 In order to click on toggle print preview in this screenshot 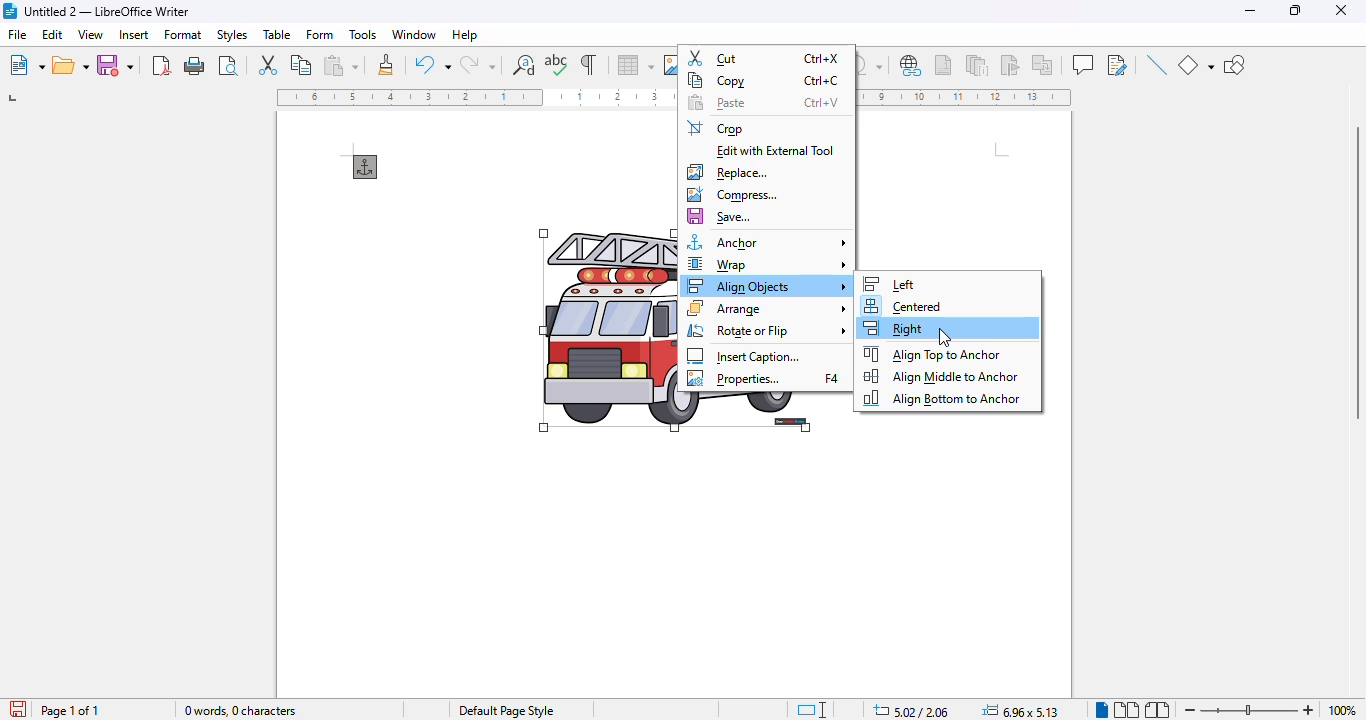, I will do `click(228, 65)`.